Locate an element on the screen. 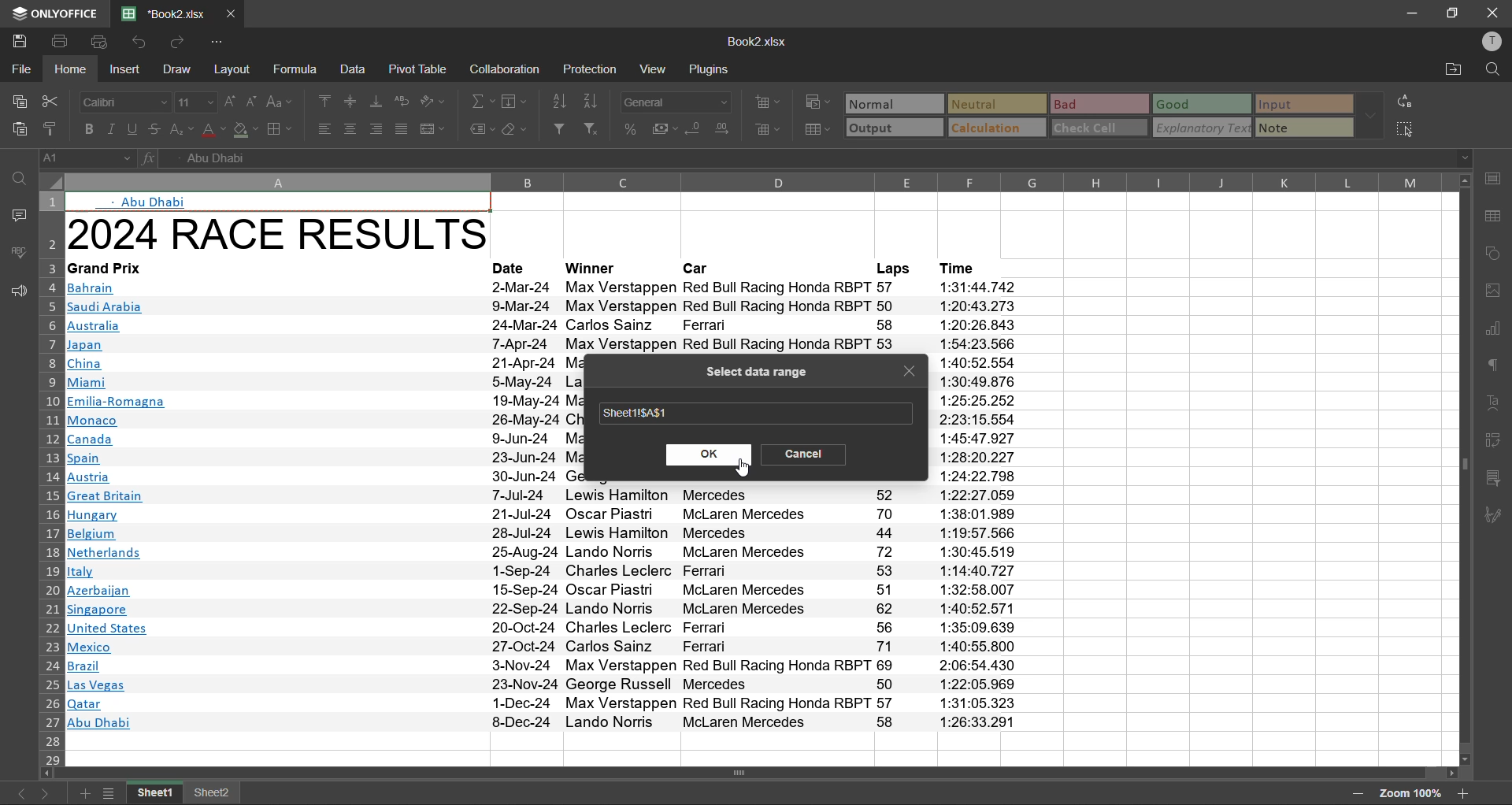 This screenshot has width=1512, height=805. paragraph is located at coordinates (1494, 367).